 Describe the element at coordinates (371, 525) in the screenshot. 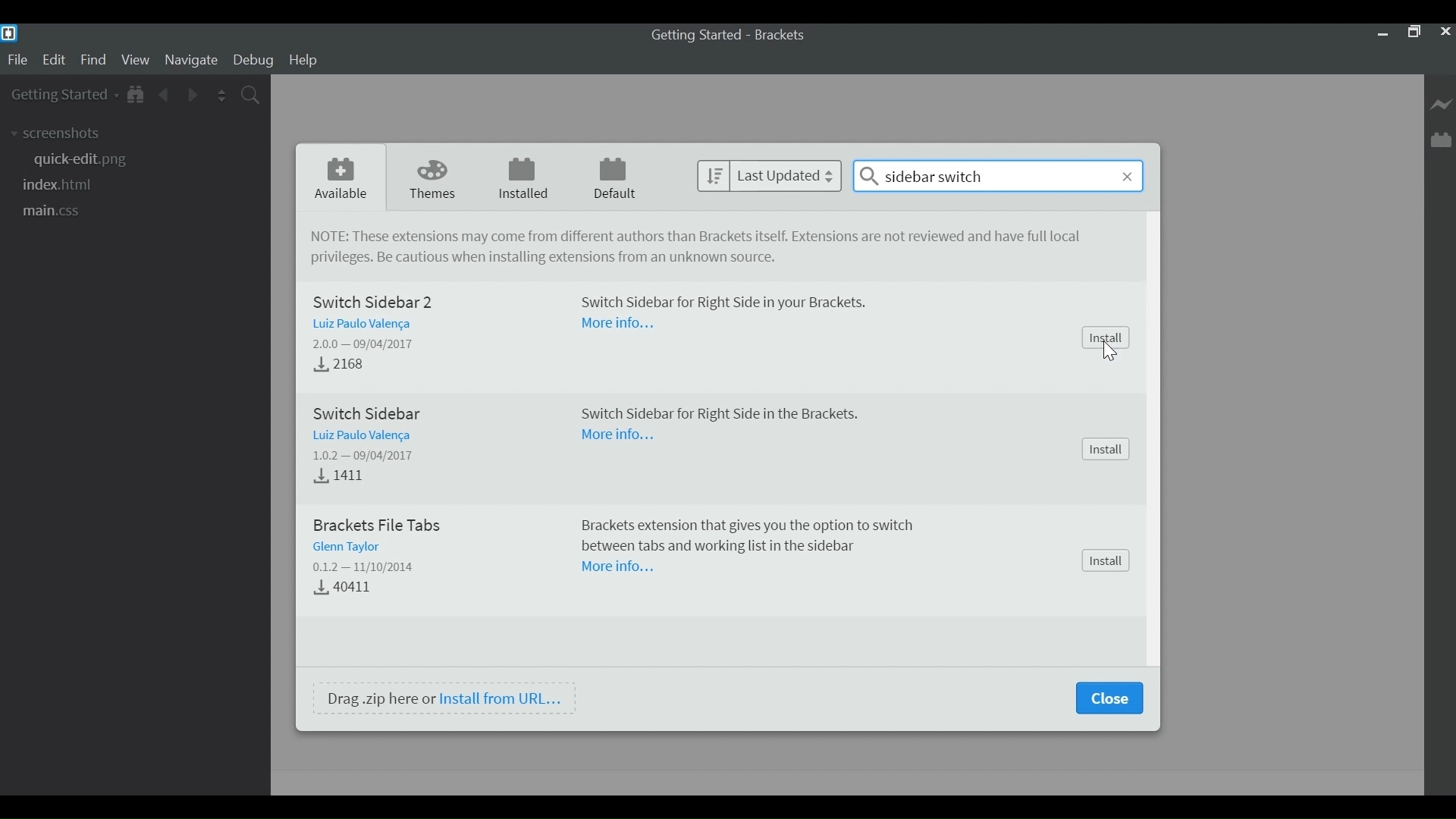

I see `brackets file tabs` at that location.